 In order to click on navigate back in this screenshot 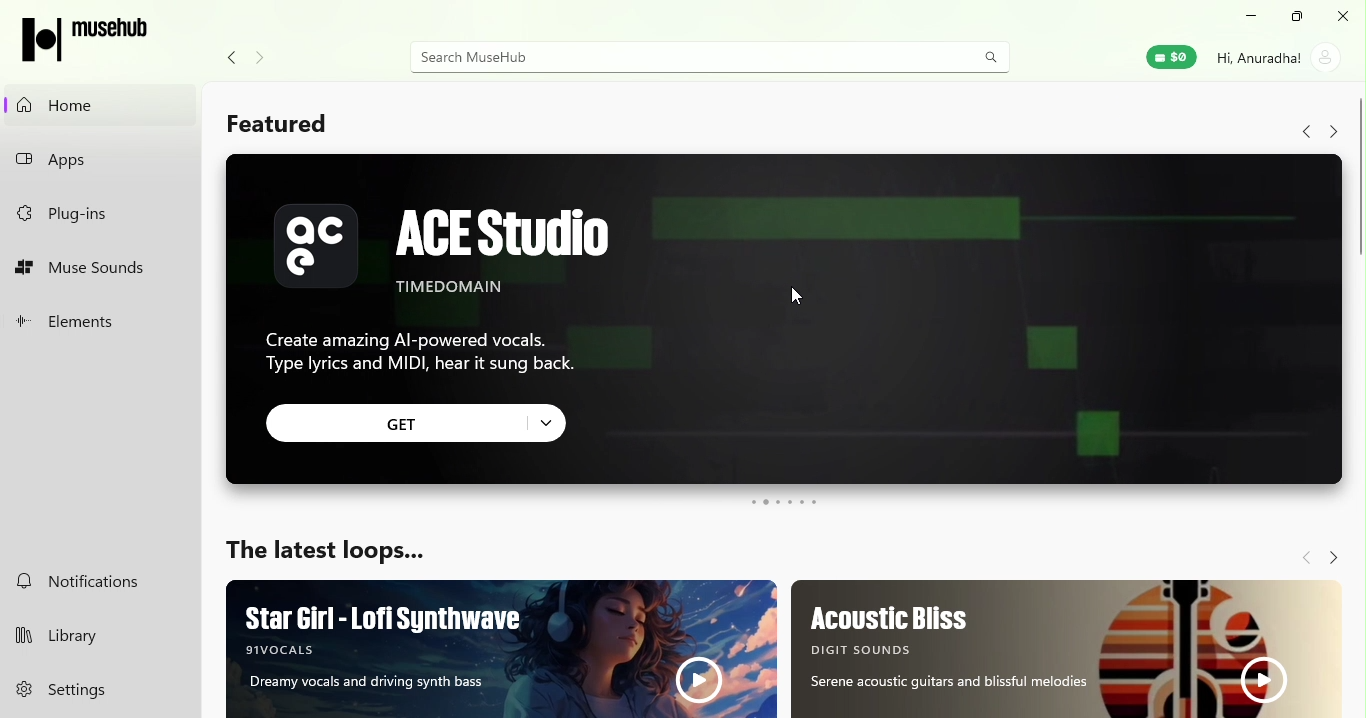, I will do `click(232, 55)`.